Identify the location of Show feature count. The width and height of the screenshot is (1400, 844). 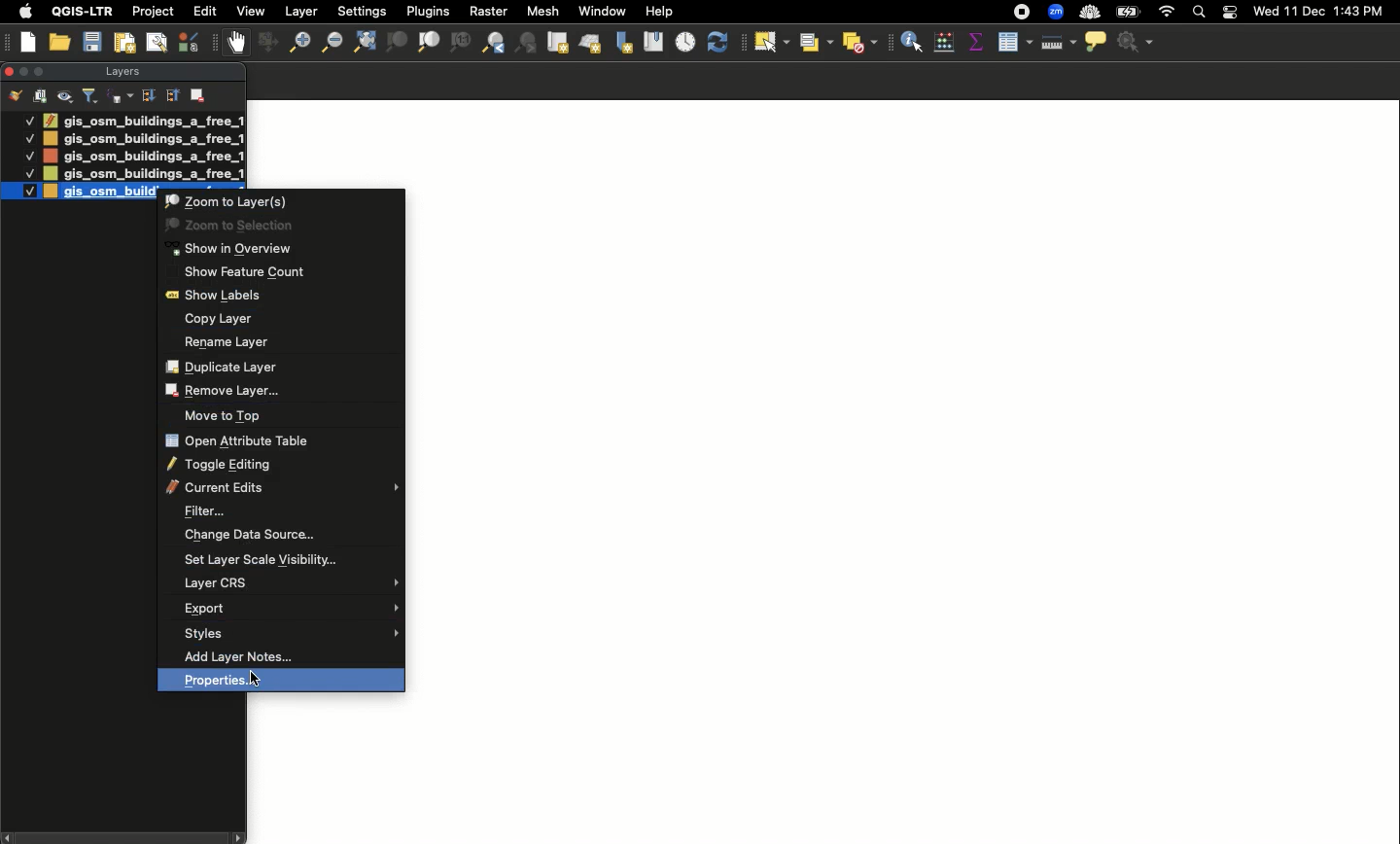
(283, 272).